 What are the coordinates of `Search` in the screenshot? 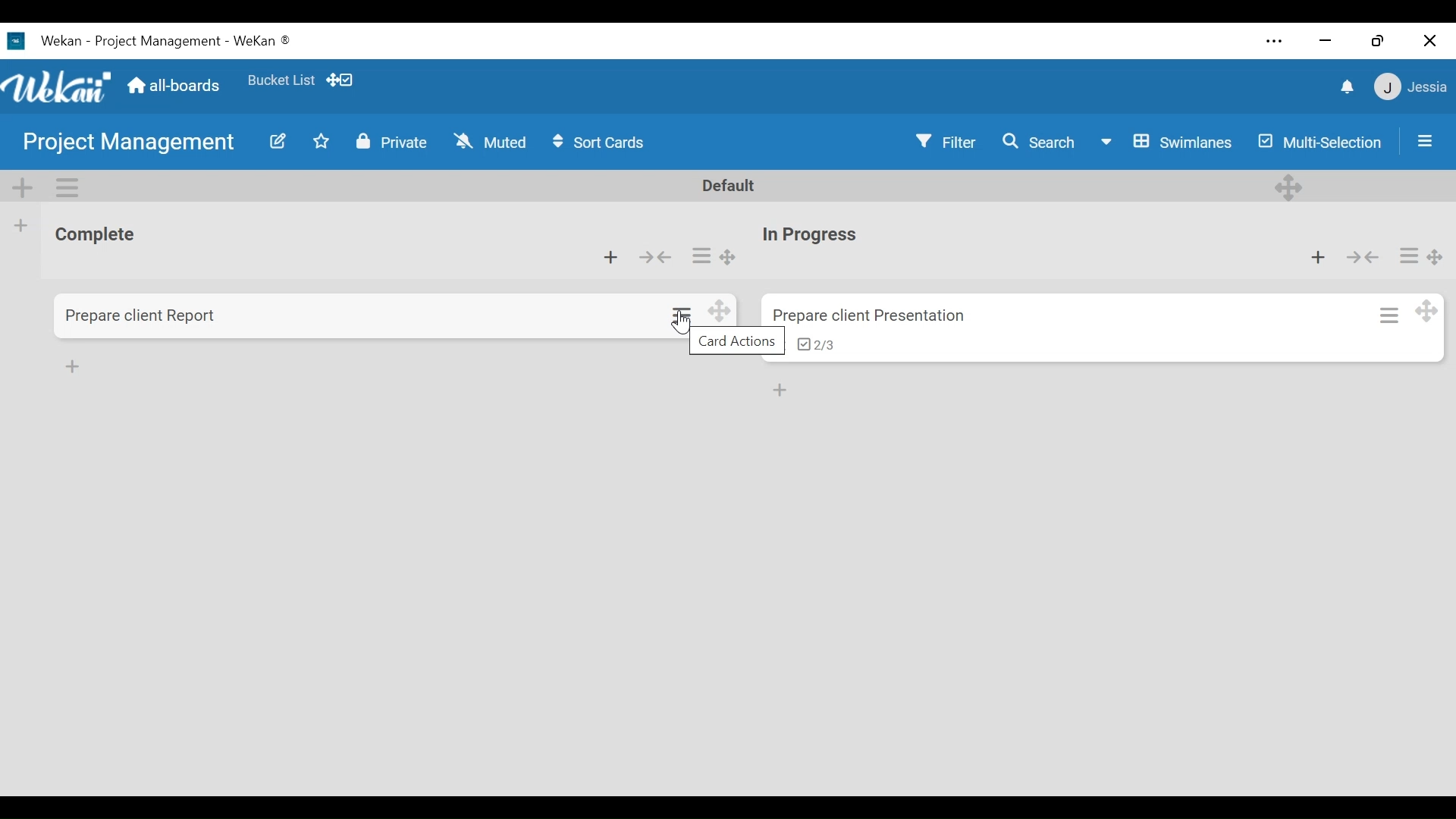 It's located at (1041, 140).